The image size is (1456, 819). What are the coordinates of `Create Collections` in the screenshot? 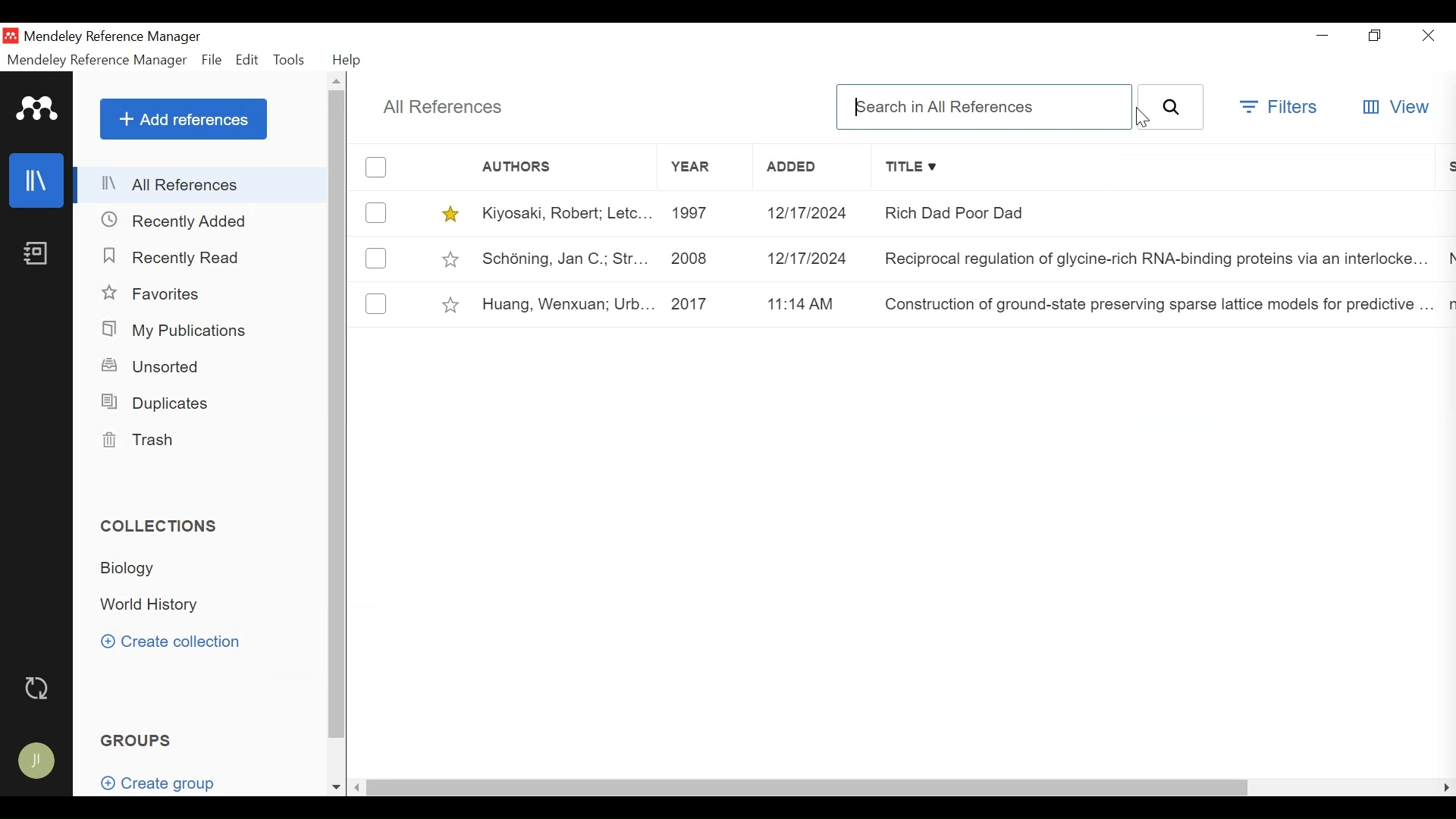 It's located at (174, 643).